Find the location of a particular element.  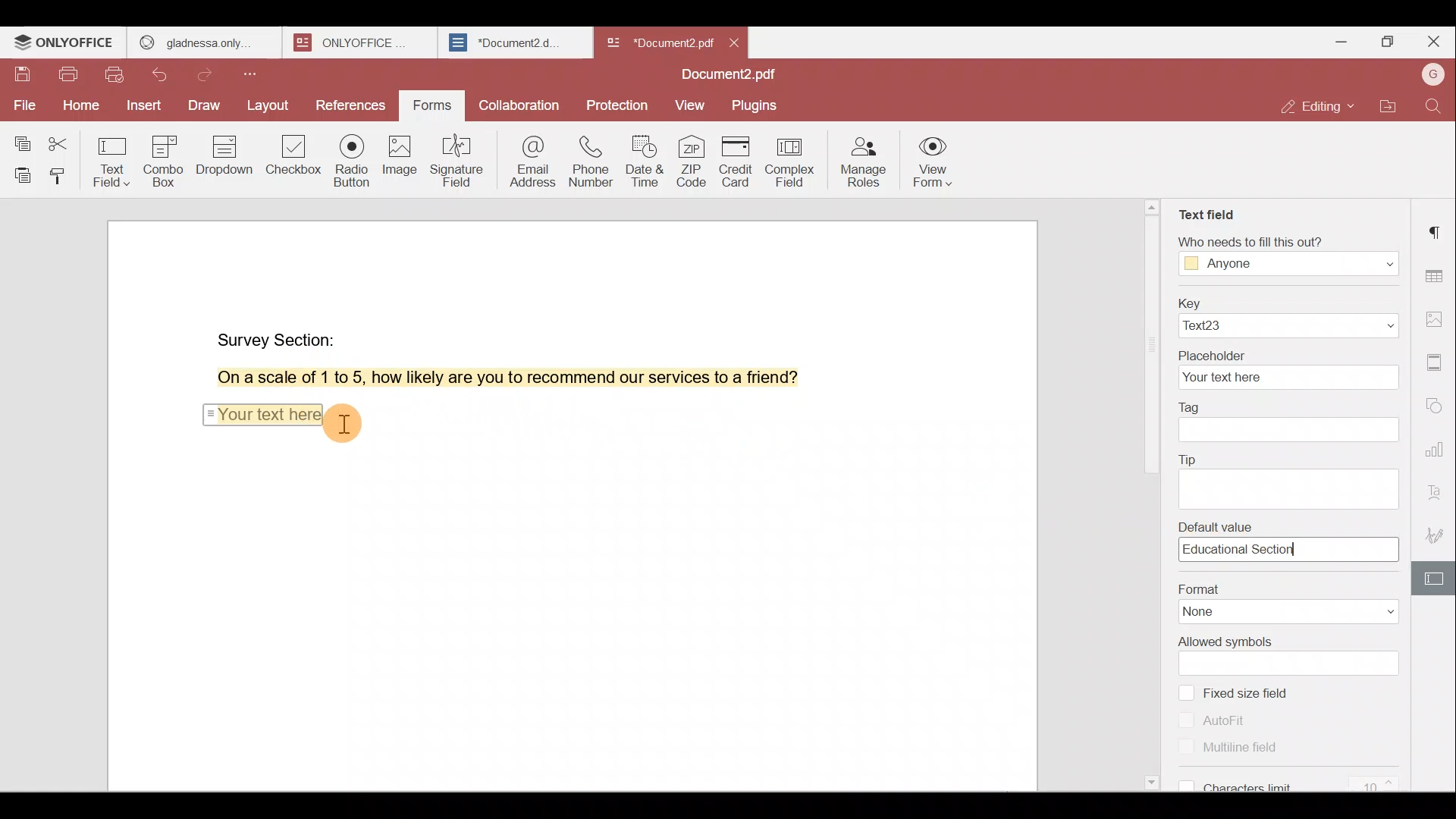

On a scale of 1 to 5, how likely are you to recommend our services to a friend? is located at coordinates (491, 378).